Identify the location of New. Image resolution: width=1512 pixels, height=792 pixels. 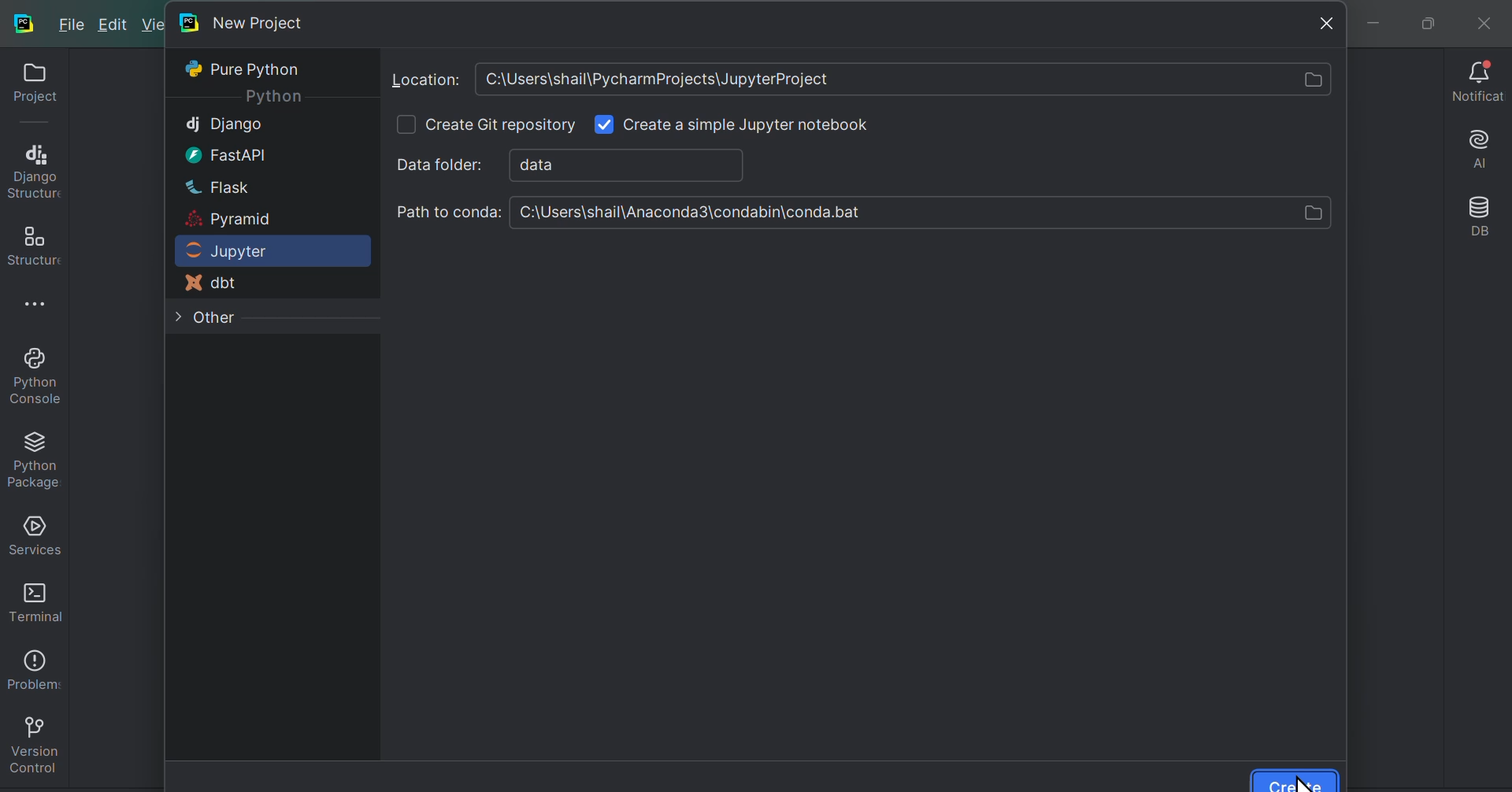
(156, 26).